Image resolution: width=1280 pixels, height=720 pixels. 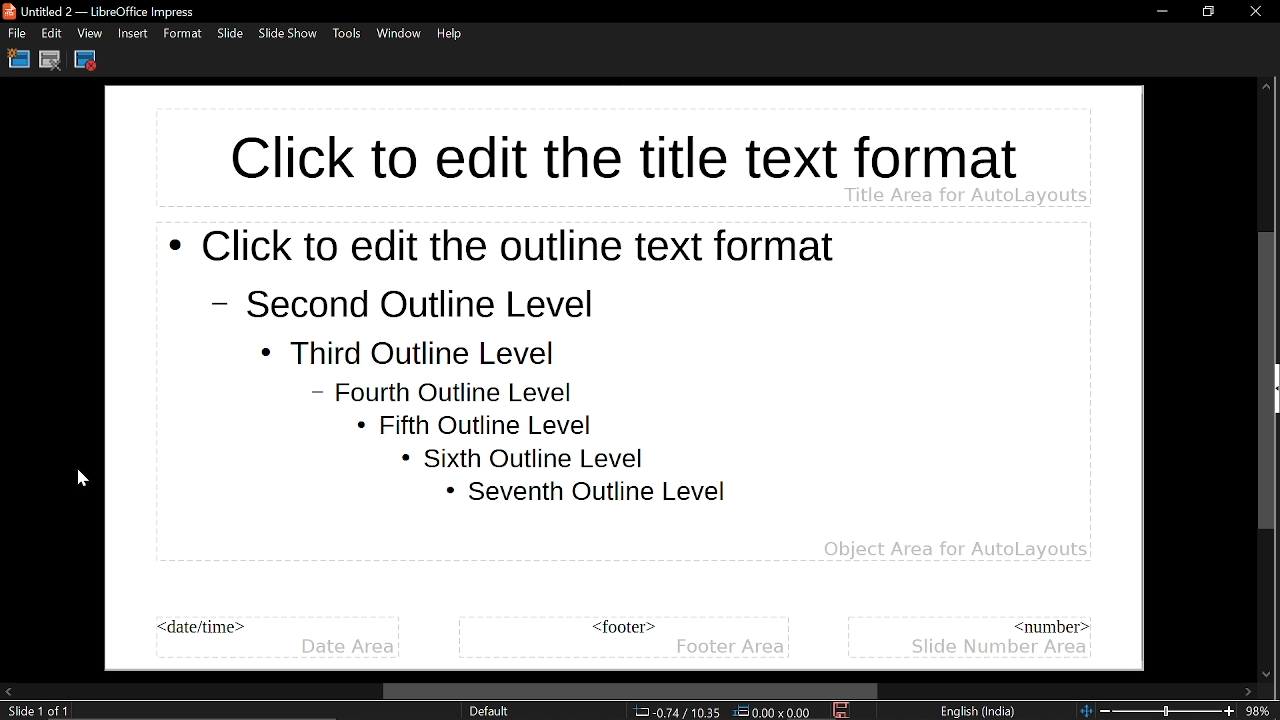 What do you see at coordinates (451, 37) in the screenshot?
I see `Help` at bounding box center [451, 37].